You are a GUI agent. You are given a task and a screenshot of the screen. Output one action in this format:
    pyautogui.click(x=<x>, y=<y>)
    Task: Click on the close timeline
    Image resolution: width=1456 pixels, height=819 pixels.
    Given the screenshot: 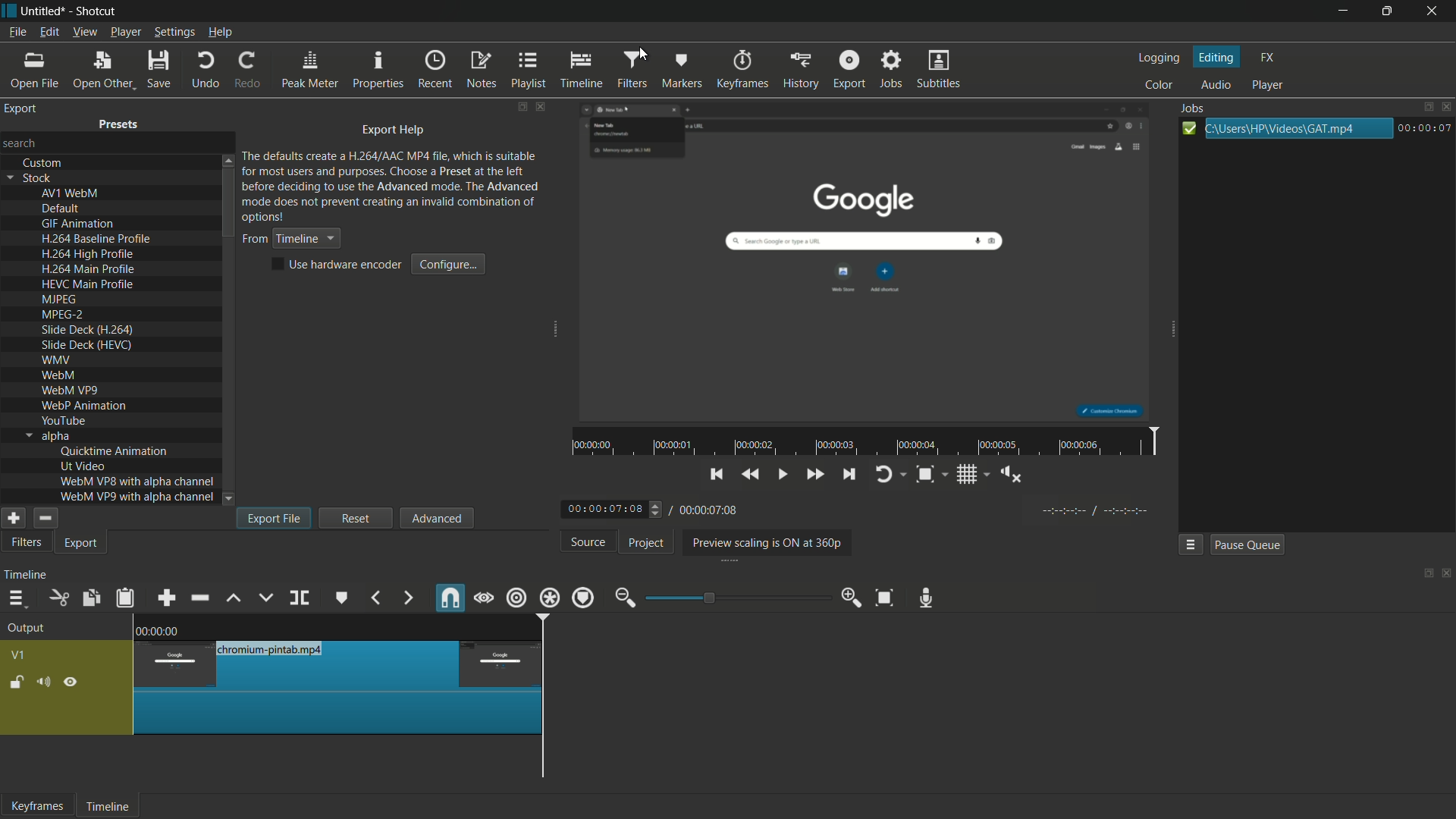 What is the action you would take?
    pyautogui.click(x=1447, y=575)
    